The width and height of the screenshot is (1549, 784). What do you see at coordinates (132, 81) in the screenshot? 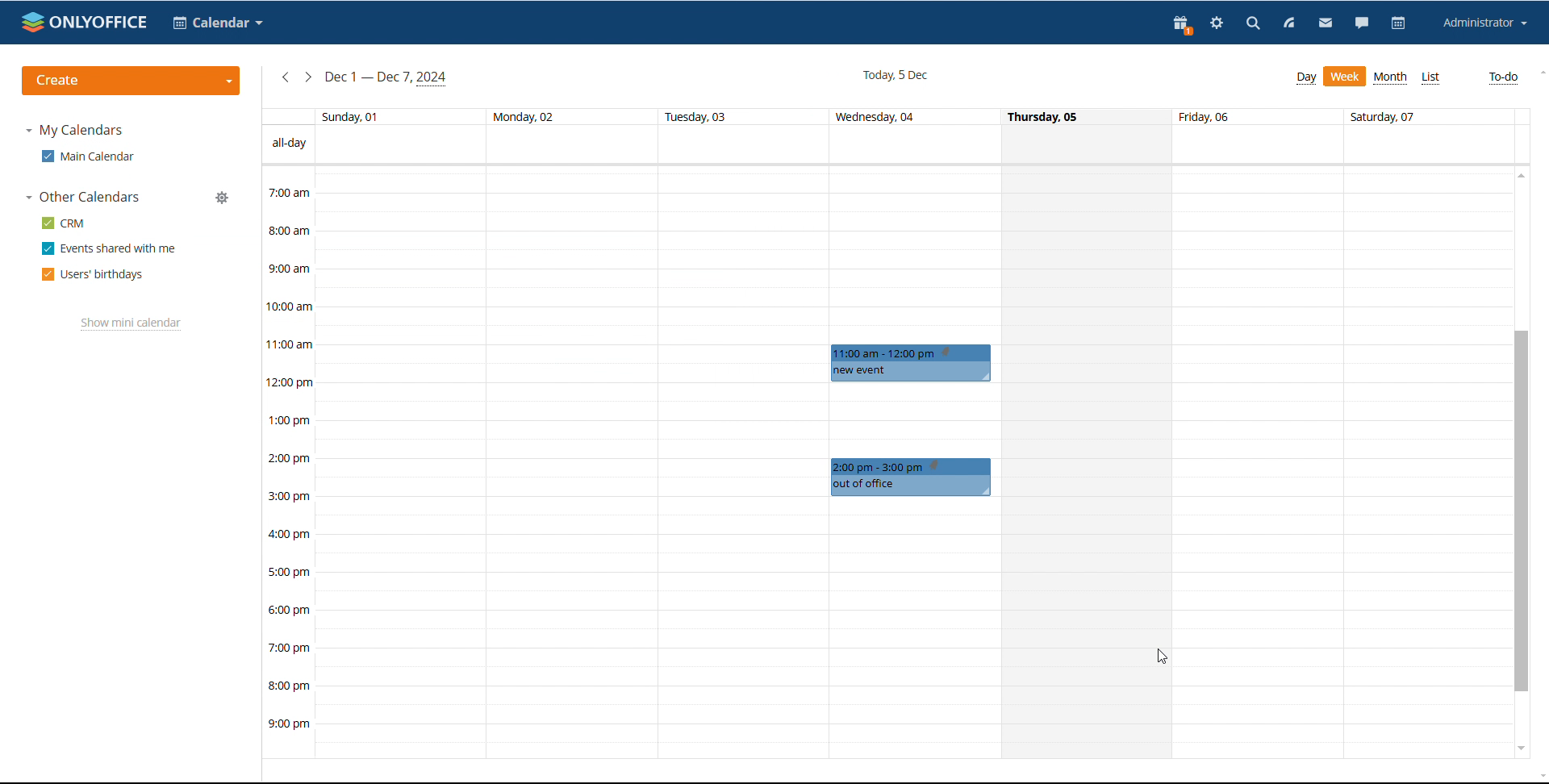
I see `create` at bounding box center [132, 81].